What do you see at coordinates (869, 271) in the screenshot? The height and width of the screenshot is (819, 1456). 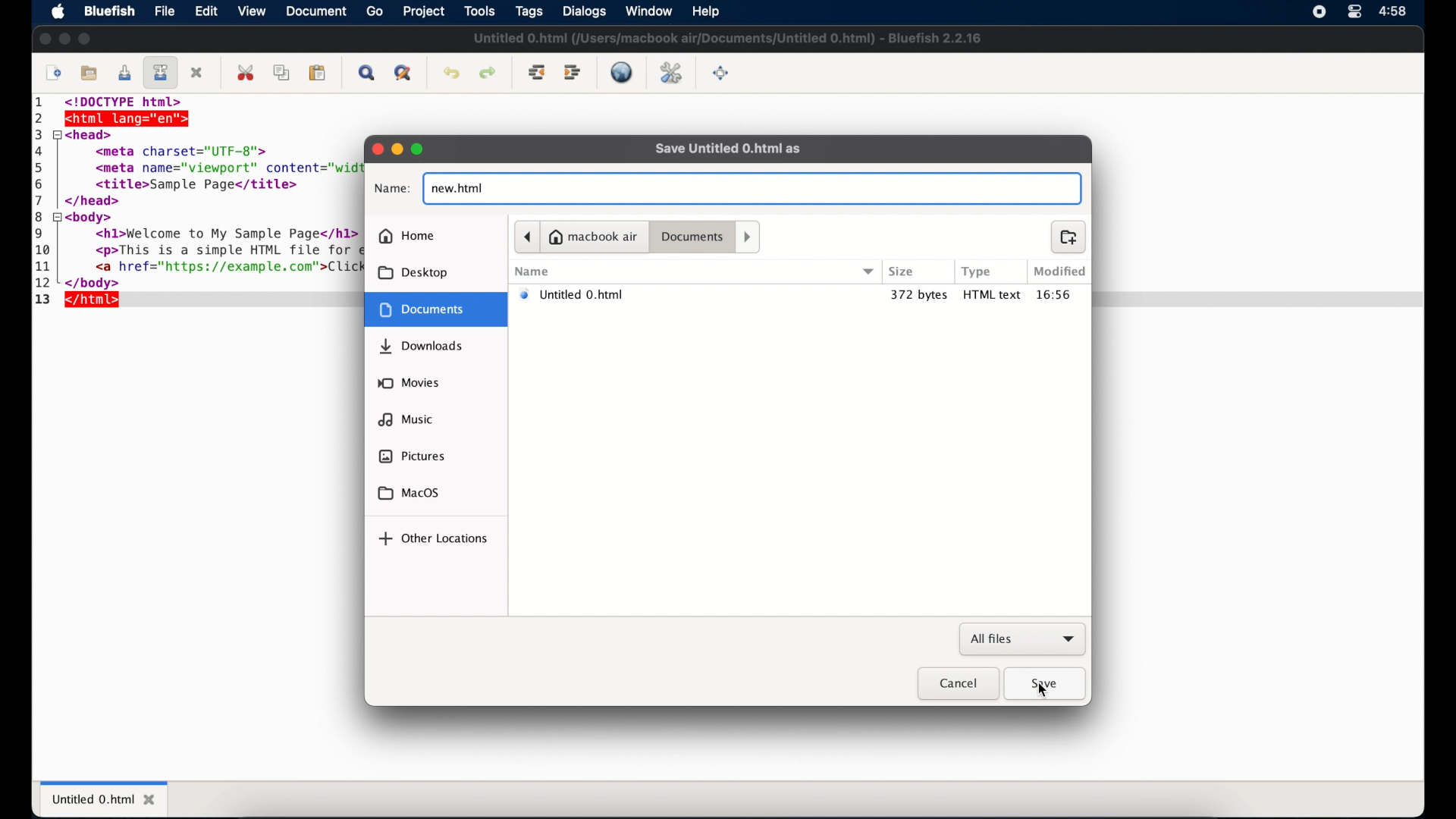 I see `dropdown menu` at bounding box center [869, 271].